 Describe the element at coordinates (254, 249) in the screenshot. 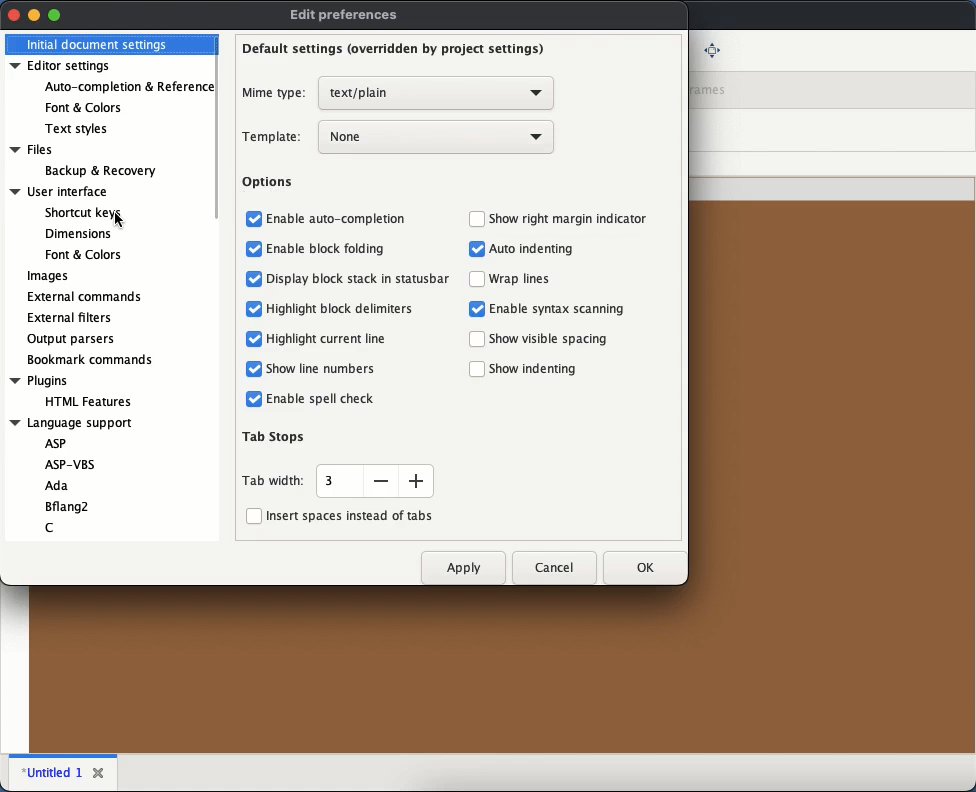

I see `checkbox enabled` at that location.